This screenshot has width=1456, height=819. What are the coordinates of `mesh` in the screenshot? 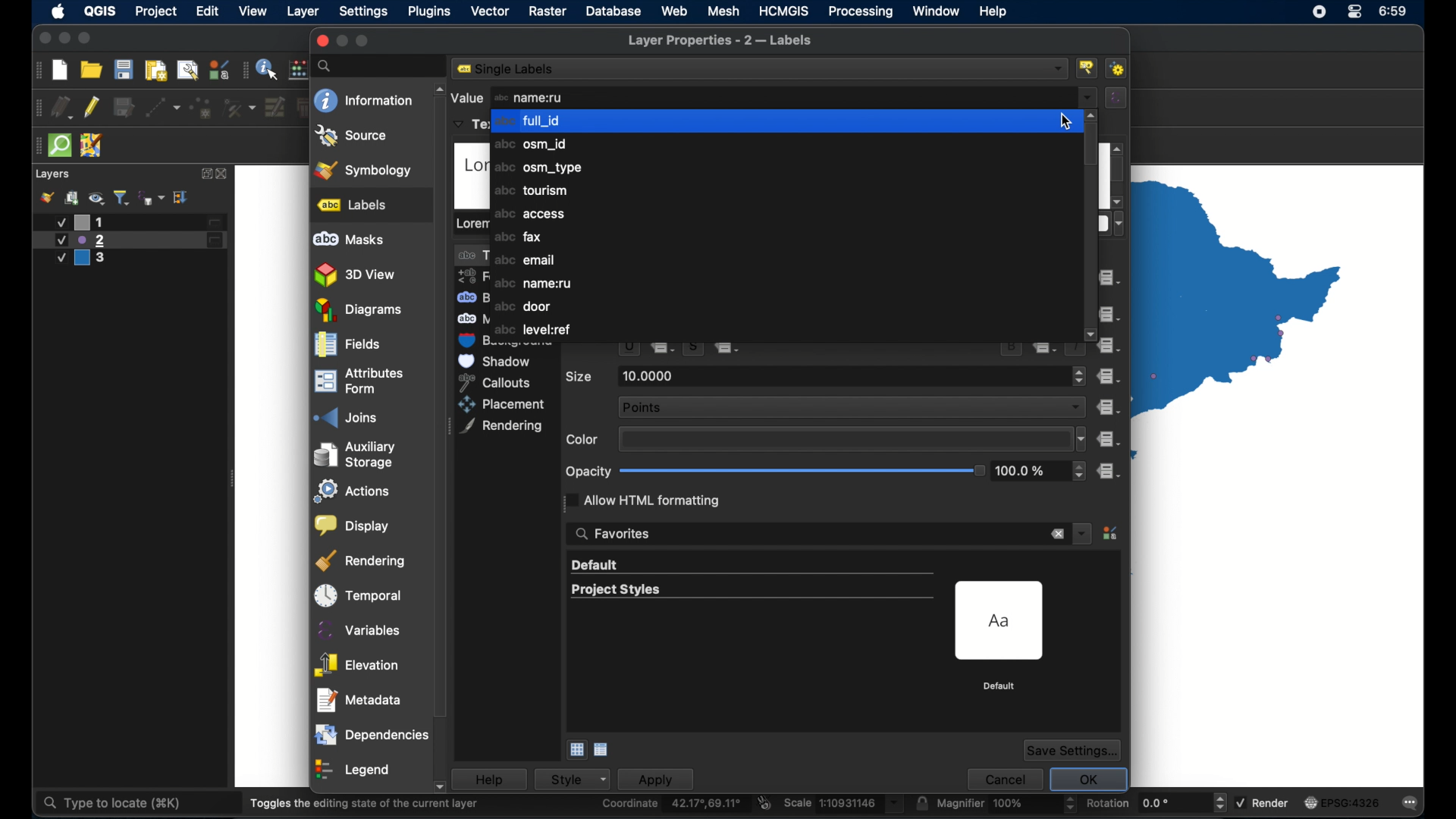 It's located at (723, 11).